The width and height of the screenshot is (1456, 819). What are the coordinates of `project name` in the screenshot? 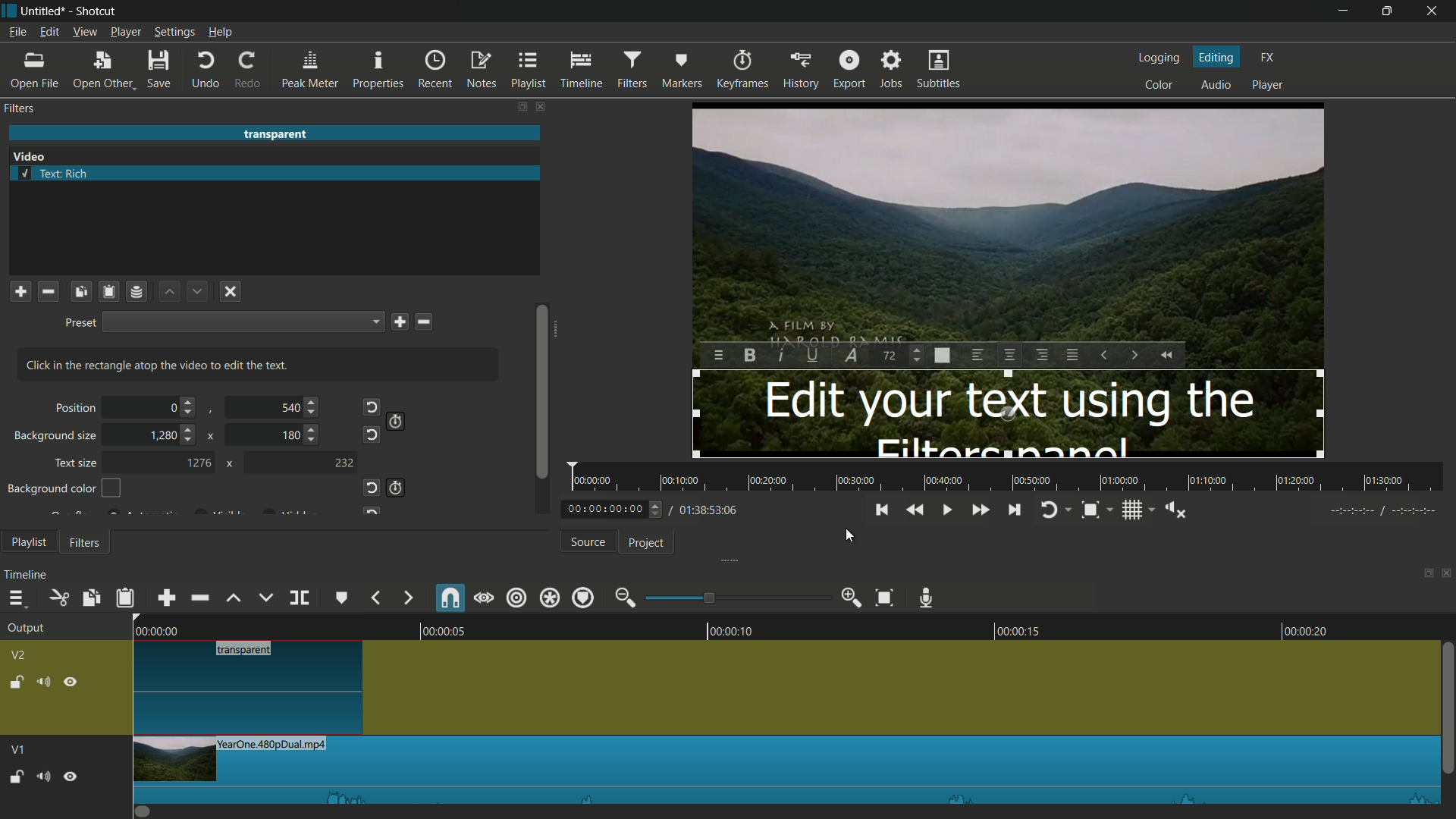 It's located at (43, 11).